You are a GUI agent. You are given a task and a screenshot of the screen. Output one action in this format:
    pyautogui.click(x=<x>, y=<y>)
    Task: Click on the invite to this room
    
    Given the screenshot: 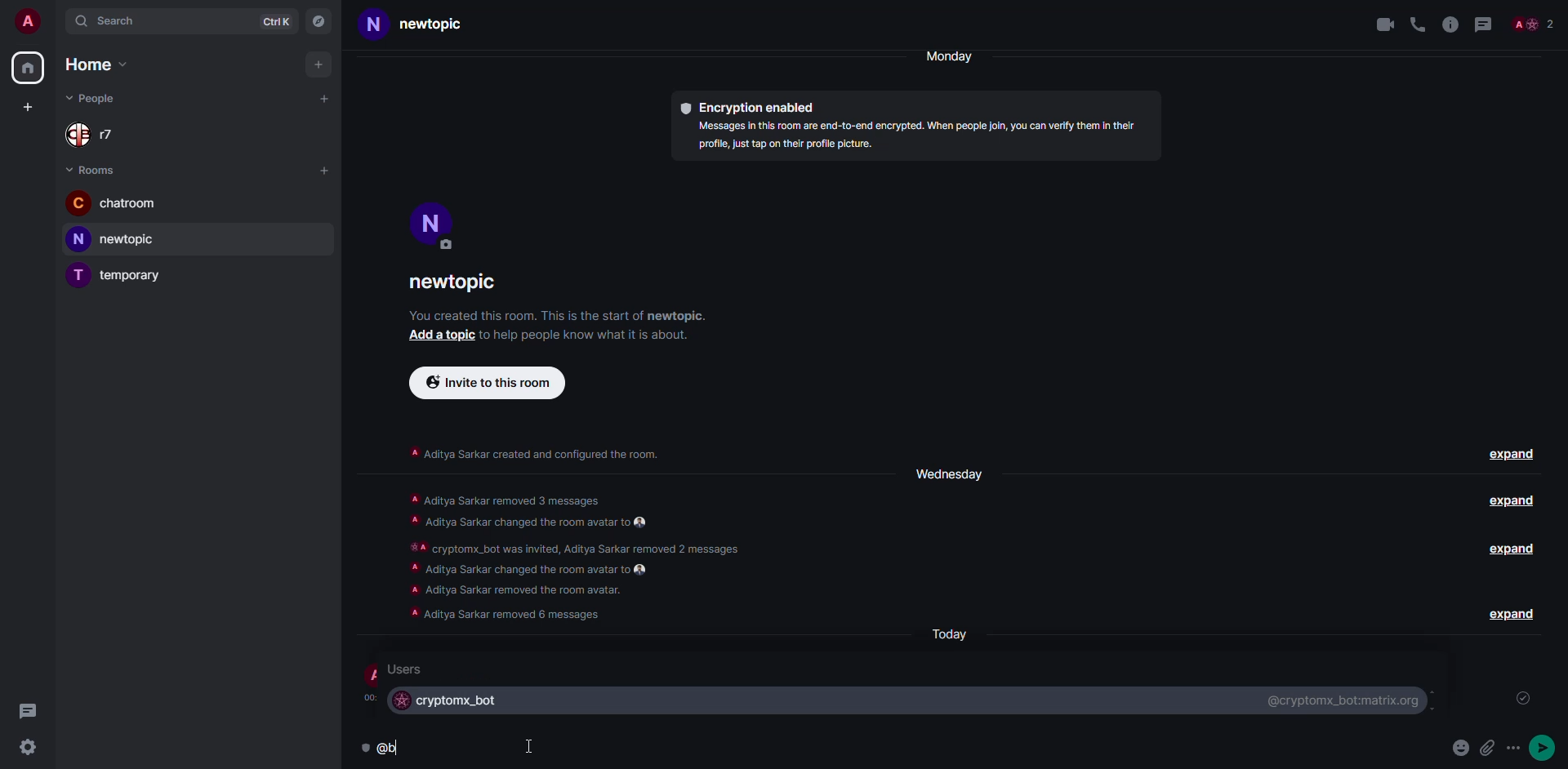 What is the action you would take?
    pyautogui.click(x=488, y=383)
    